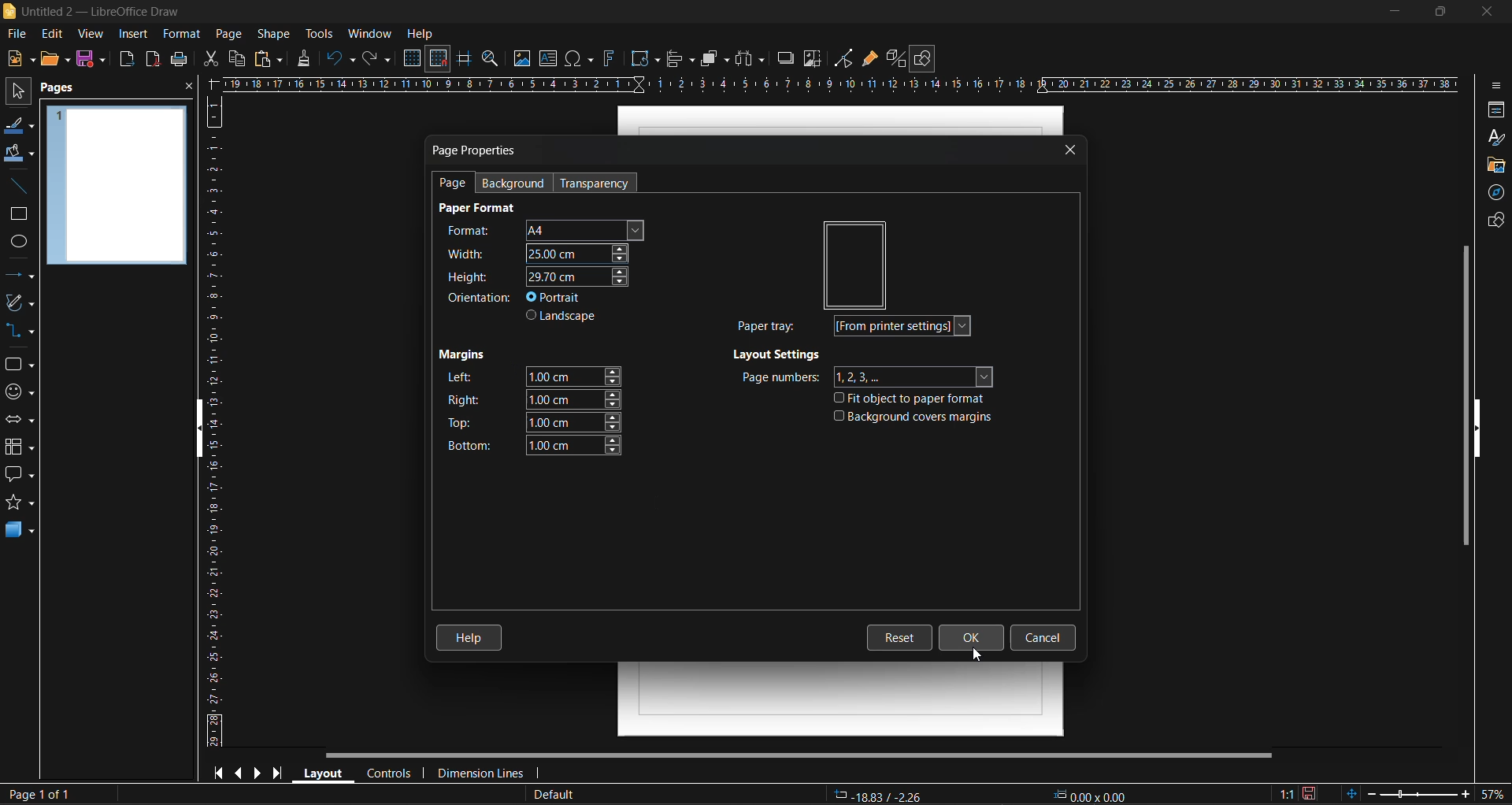  What do you see at coordinates (117, 187) in the screenshot?
I see `page preview` at bounding box center [117, 187].